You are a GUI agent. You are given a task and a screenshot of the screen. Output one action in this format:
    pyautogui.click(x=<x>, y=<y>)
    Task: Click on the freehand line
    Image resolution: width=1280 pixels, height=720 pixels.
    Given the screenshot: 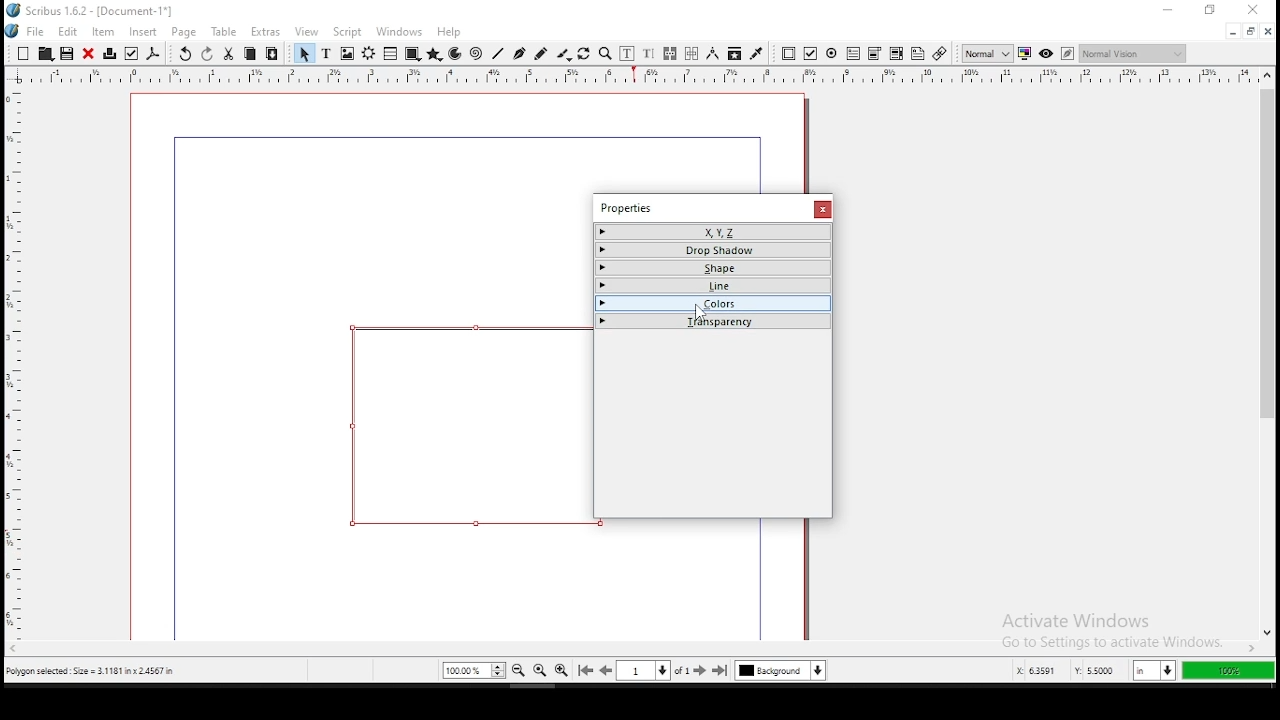 What is the action you would take?
    pyautogui.click(x=541, y=53)
    